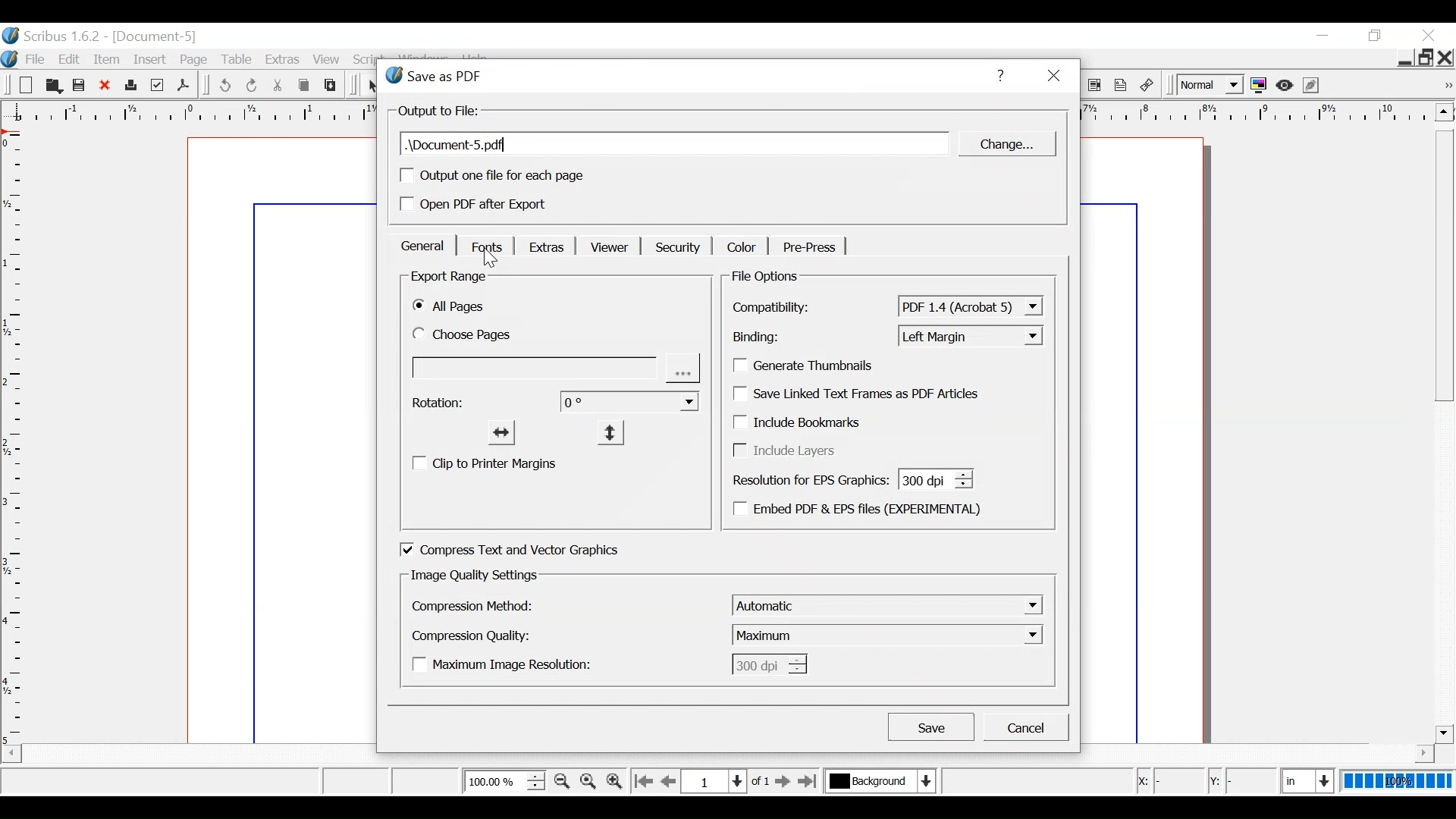  Describe the element at coordinates (730, 780) in the screenshot. I see `Current position` at that location.